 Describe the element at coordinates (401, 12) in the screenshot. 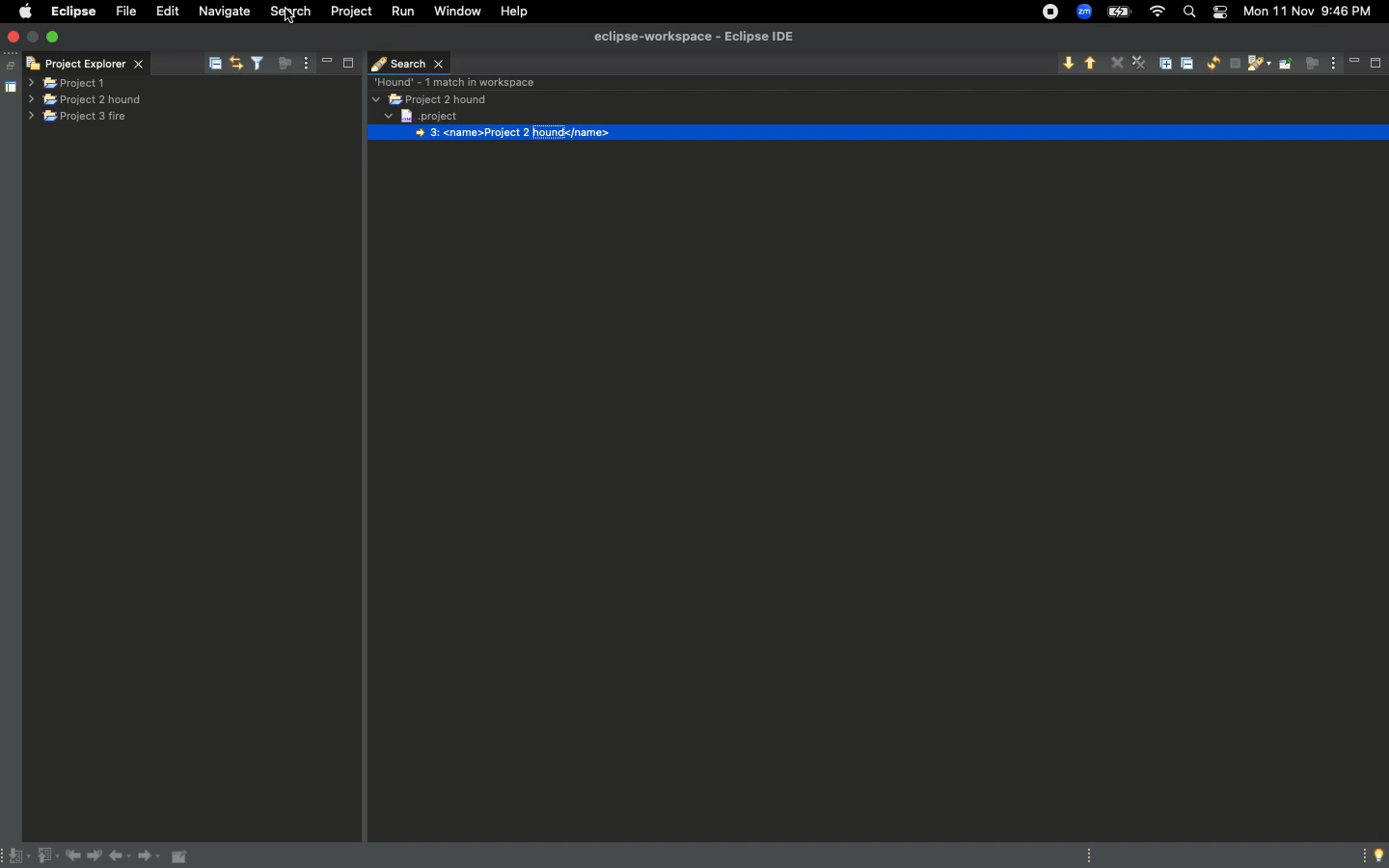

I see `Run` at that location.